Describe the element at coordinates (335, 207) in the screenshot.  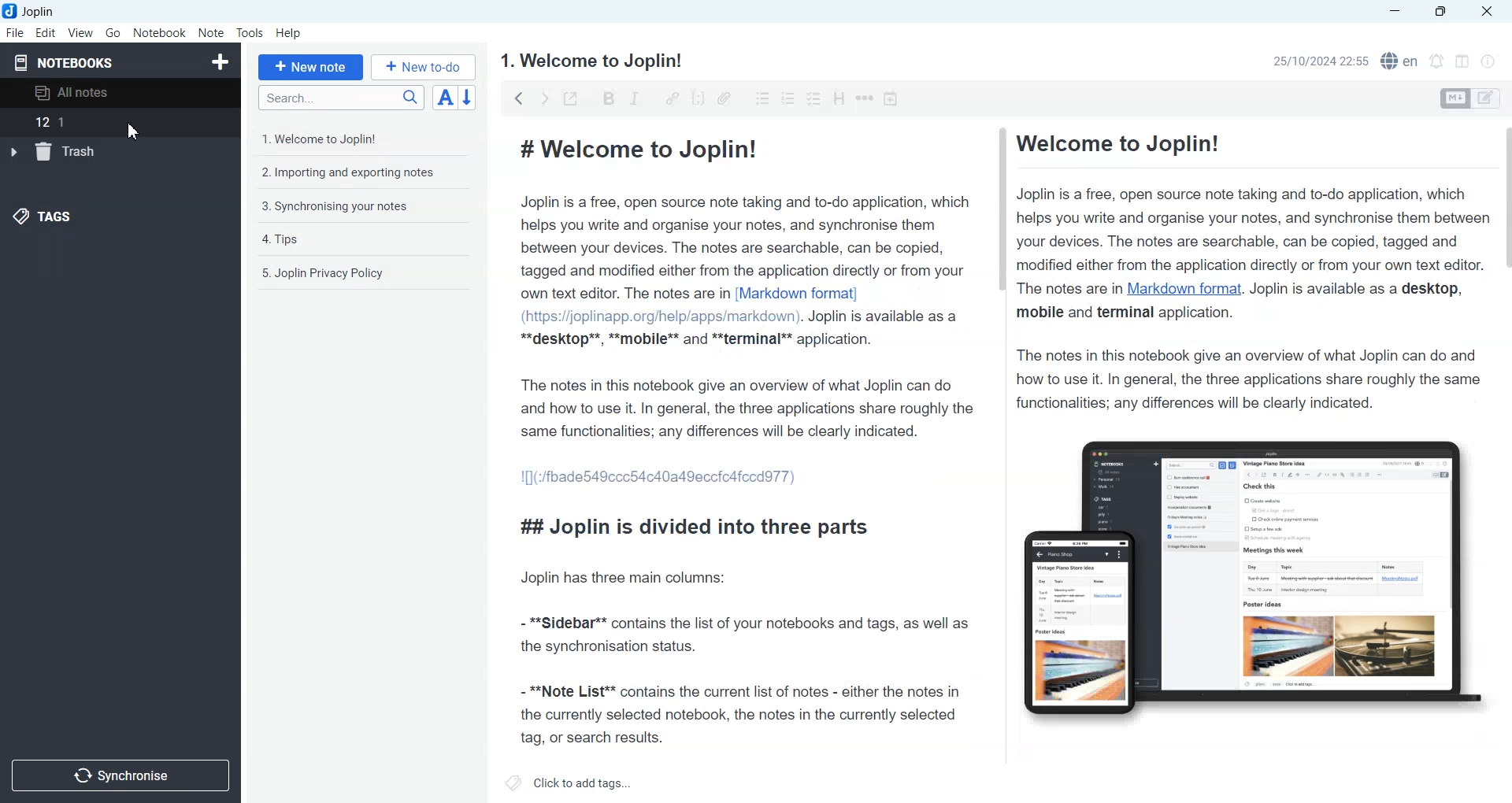
I see `3. Synchronising your notes` at that location.